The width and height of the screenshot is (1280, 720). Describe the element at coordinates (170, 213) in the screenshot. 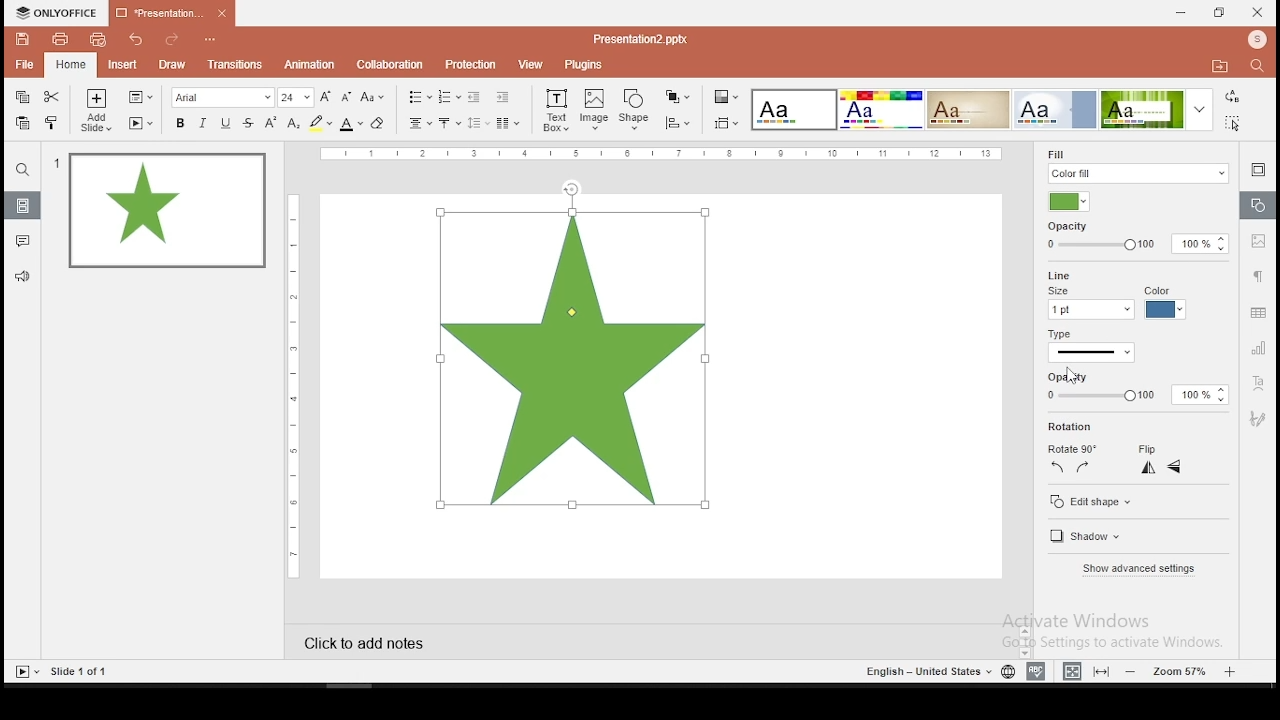

I see `slide 1` at that location.